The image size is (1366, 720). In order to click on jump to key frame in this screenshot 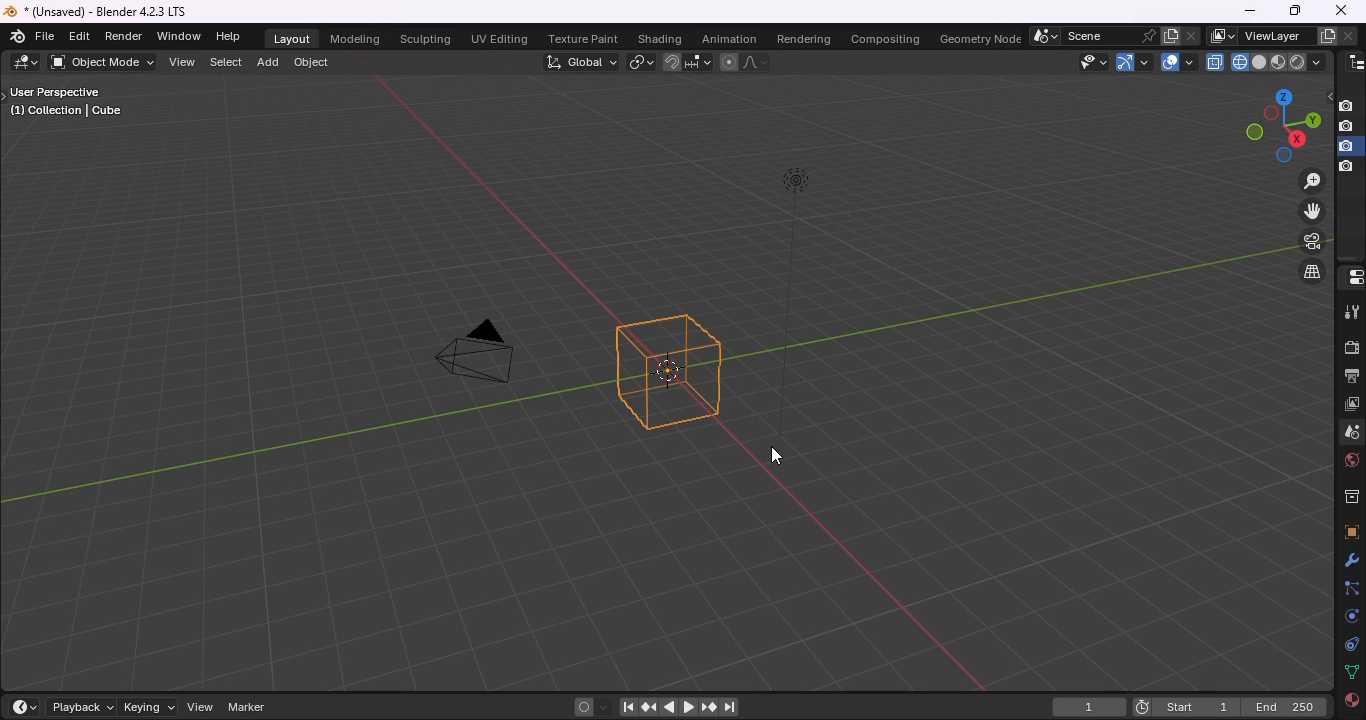, I will do `click(708, 706)`.